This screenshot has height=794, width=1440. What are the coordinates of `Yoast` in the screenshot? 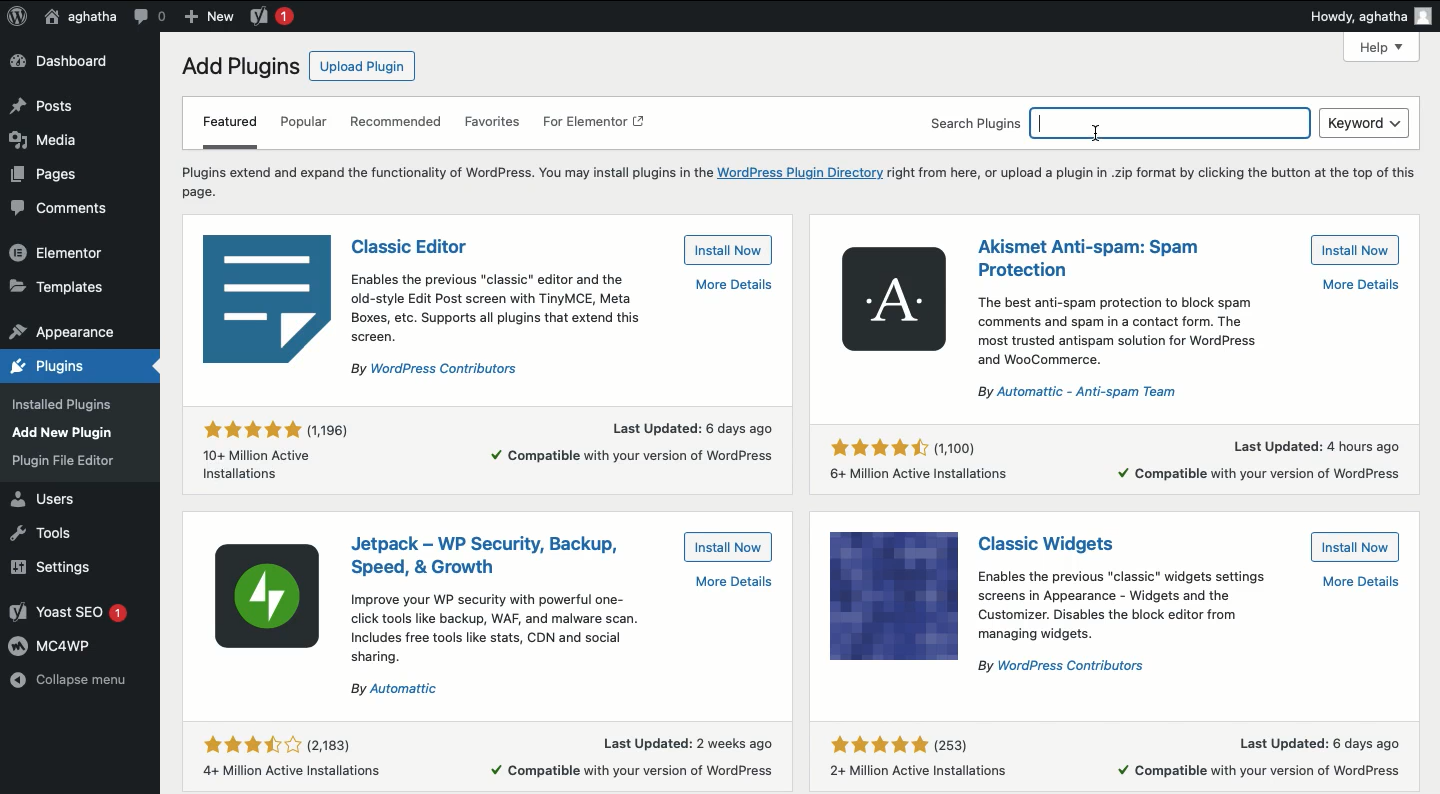 It's located at (273, 18).